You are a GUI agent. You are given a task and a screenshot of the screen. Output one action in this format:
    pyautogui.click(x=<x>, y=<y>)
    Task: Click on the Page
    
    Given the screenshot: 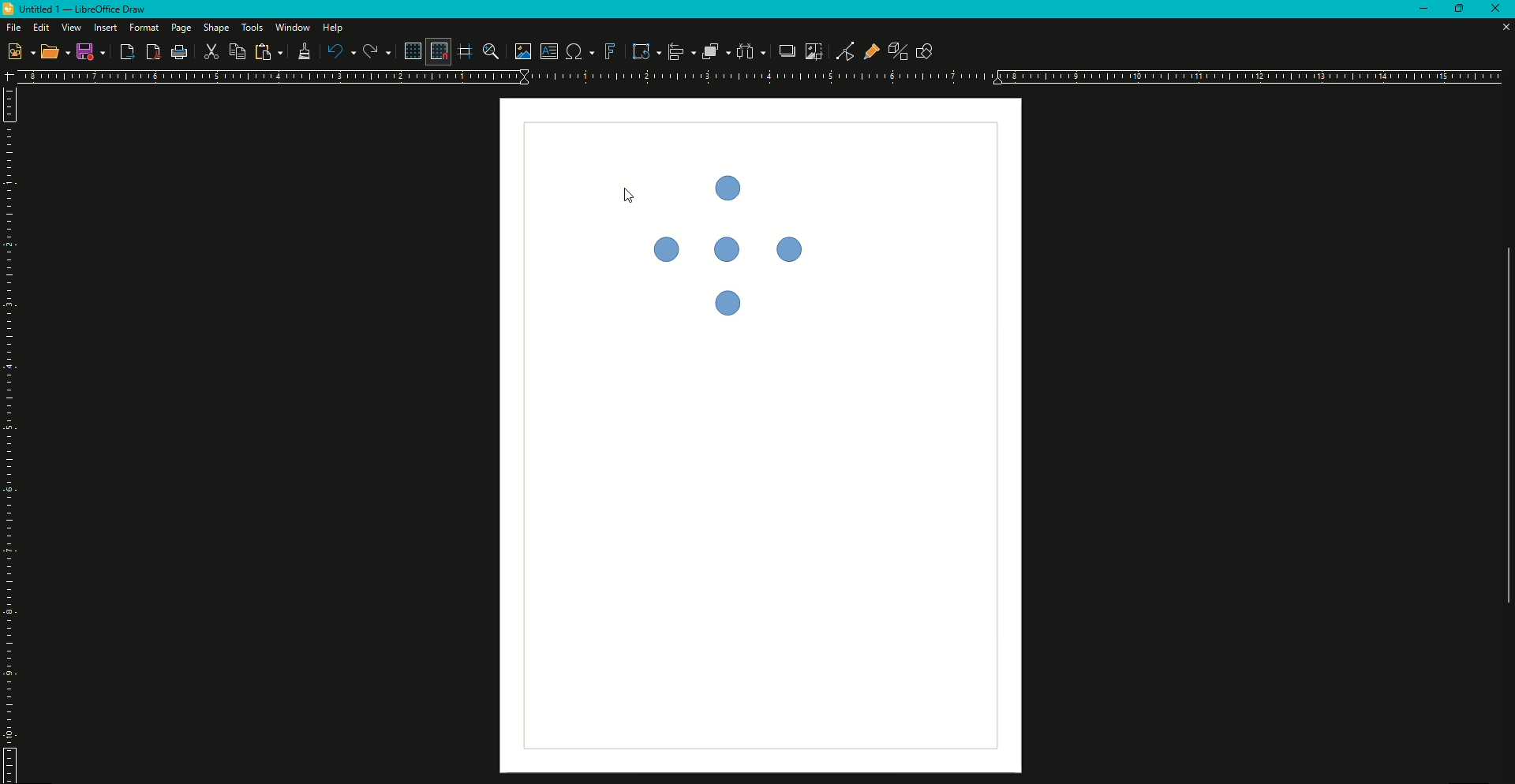 What is the action you would take?
    pyautogui.click(x=181, y=28)
    